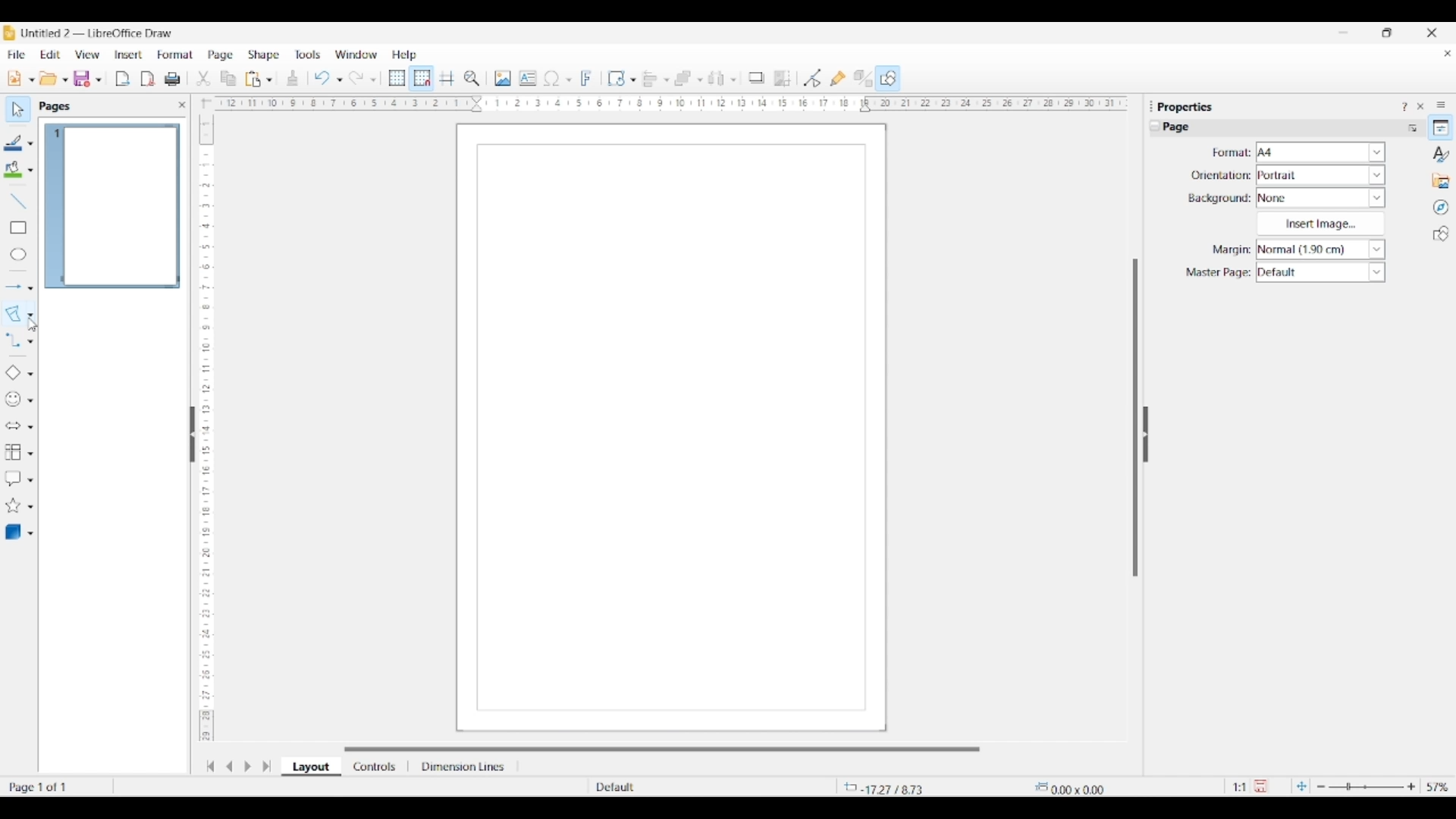 Image resolution: width=1456 pixels, height=819 pixels. What do you see at coordinates (30, 341) in the screenshot?
I see `Connector options` at bounding box center [30, 341].